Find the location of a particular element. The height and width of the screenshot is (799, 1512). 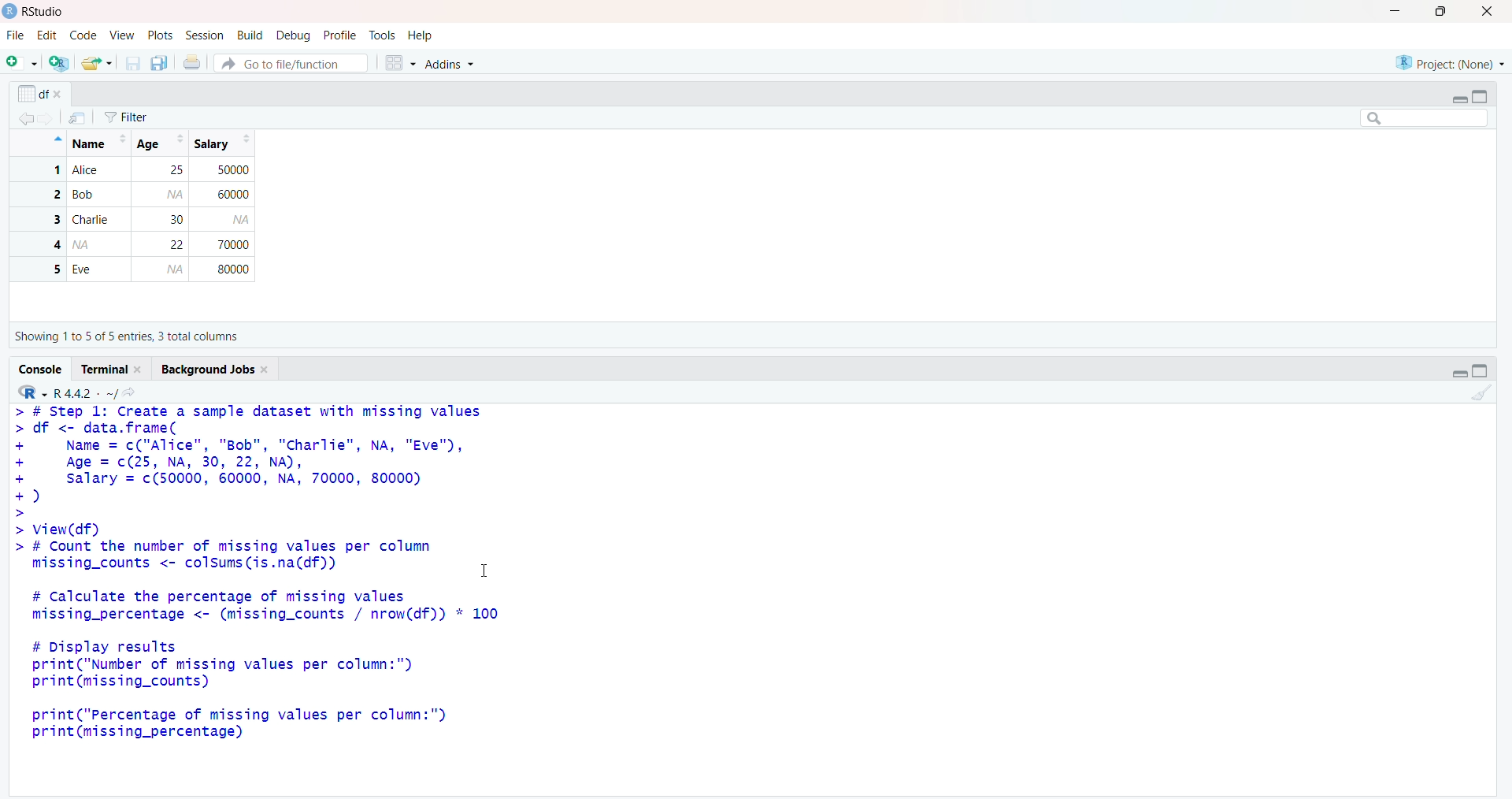

Search bar is located at coordinates (1425, 119).